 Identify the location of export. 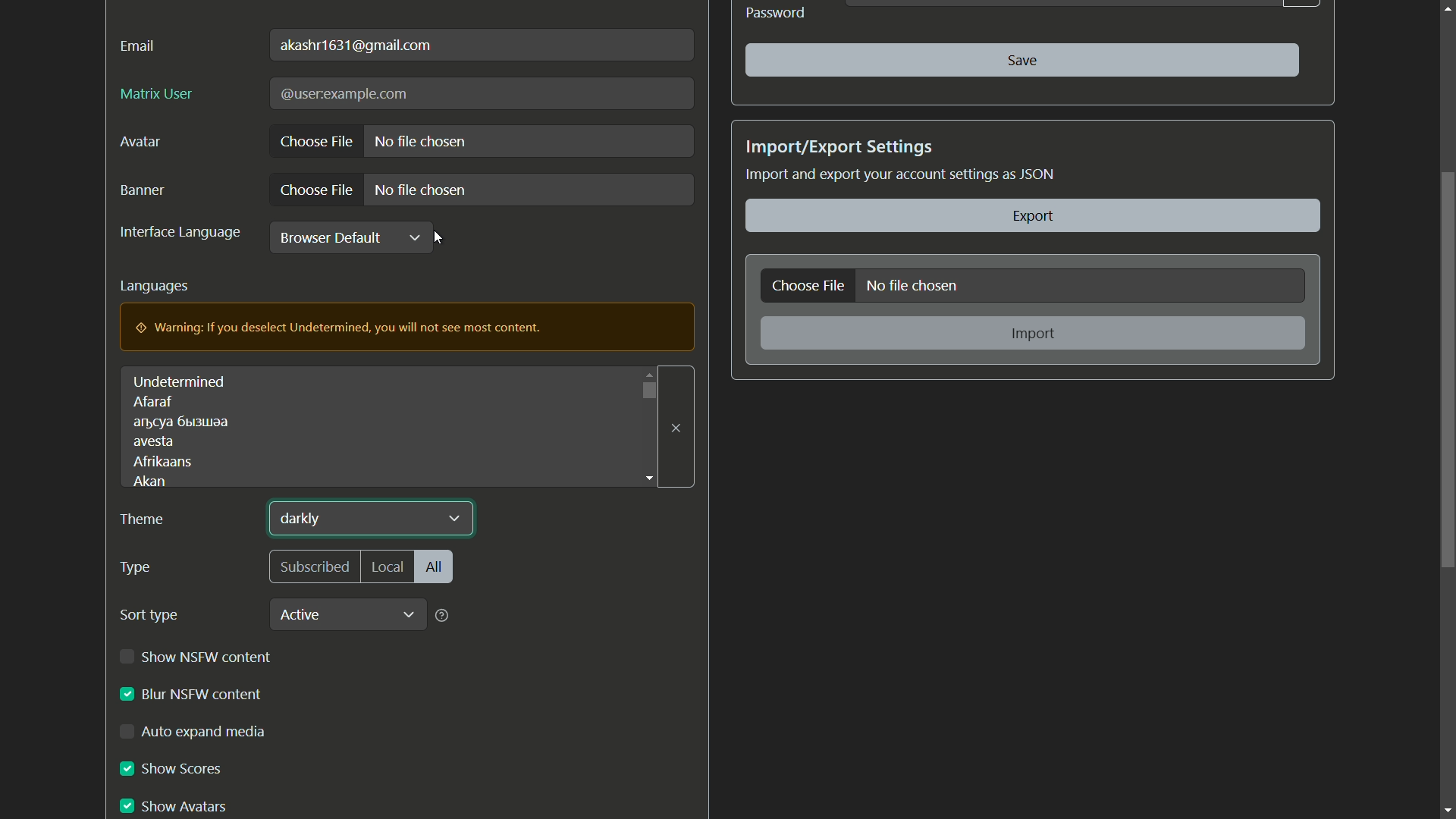
(1034, 217).